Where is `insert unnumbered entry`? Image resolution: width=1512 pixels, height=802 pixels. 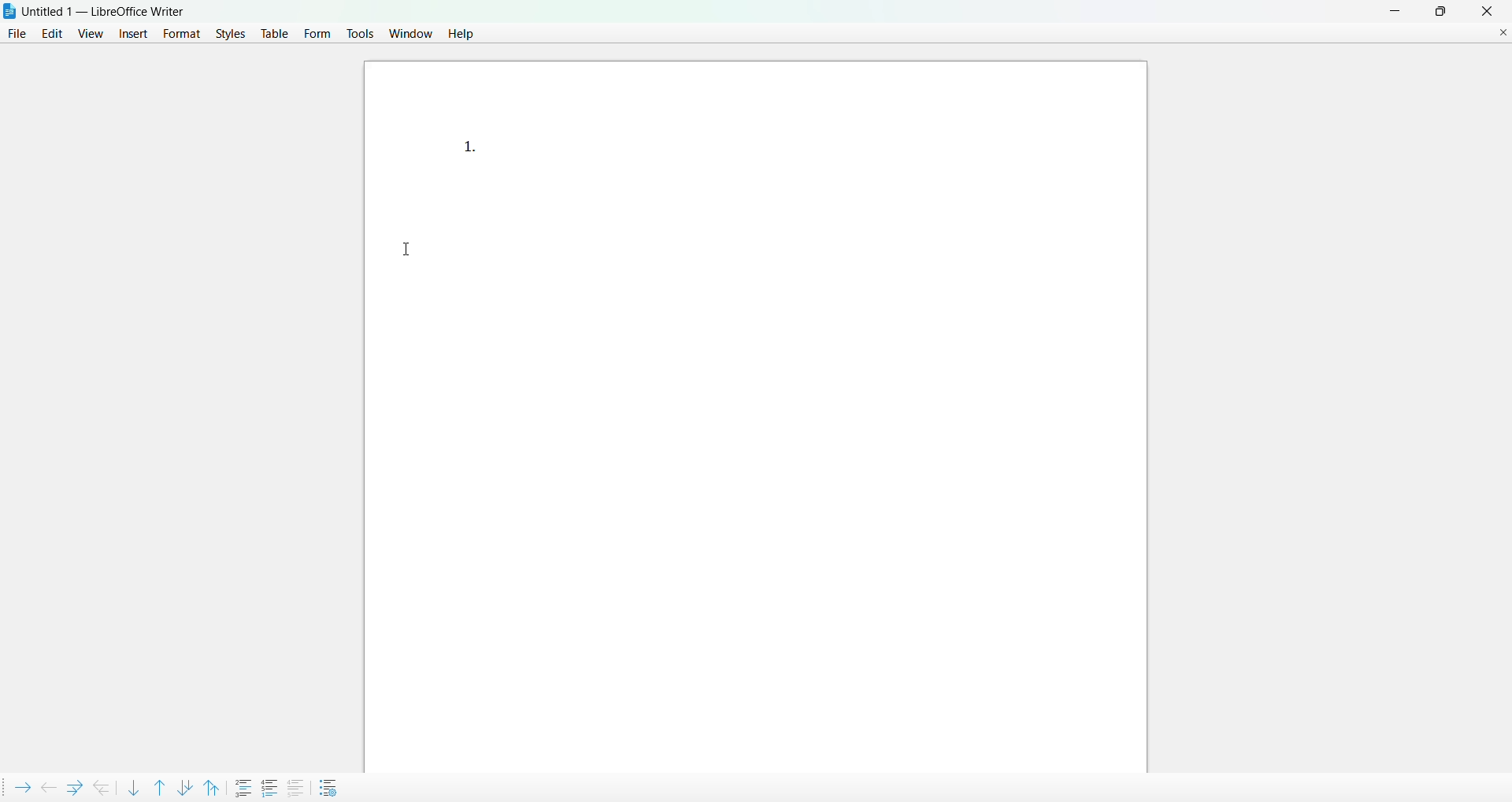 insert unnumbered entry is located at coordinates (244, 786).